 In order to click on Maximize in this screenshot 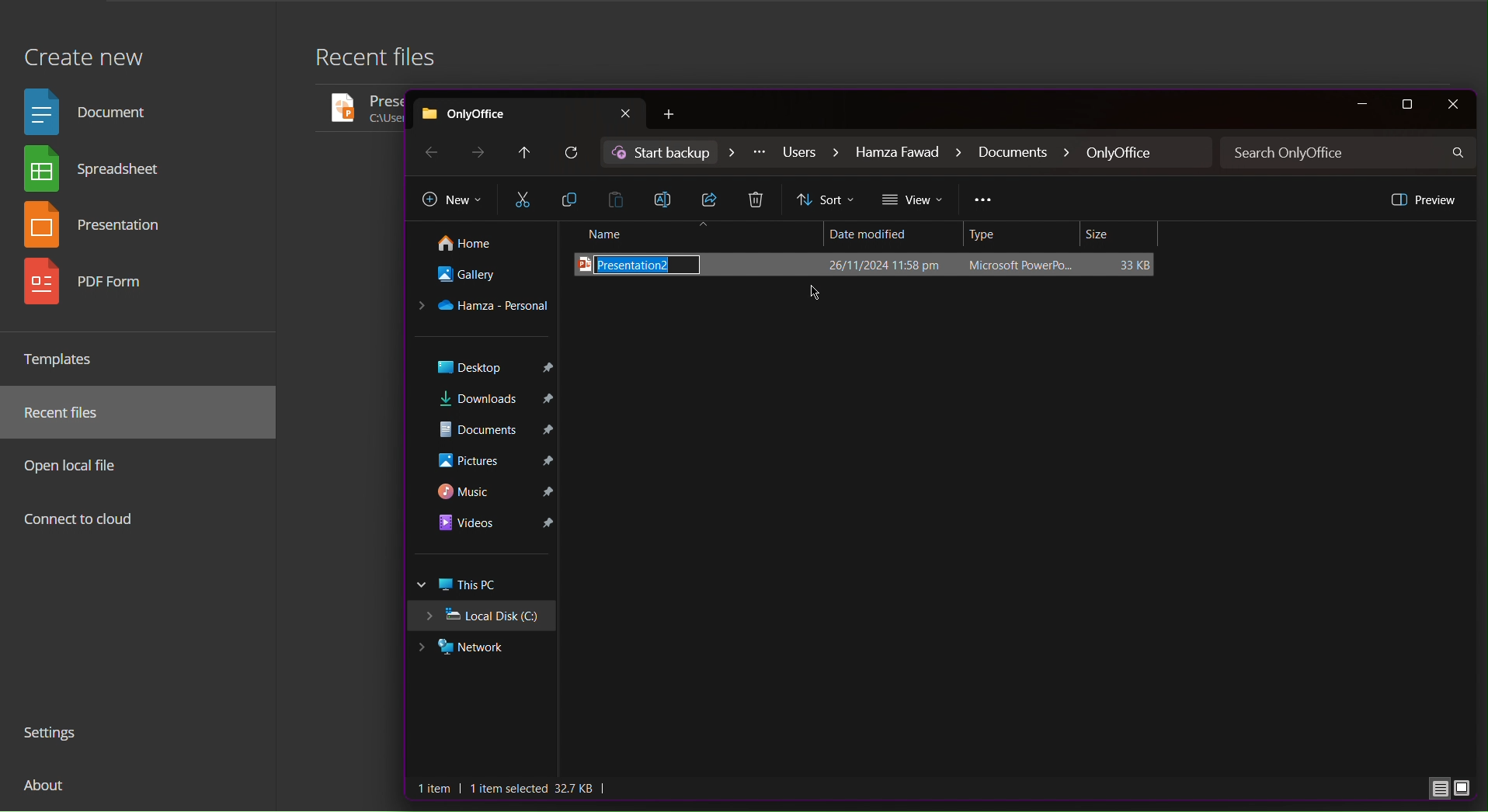, I will do `click(1410, 105)`.